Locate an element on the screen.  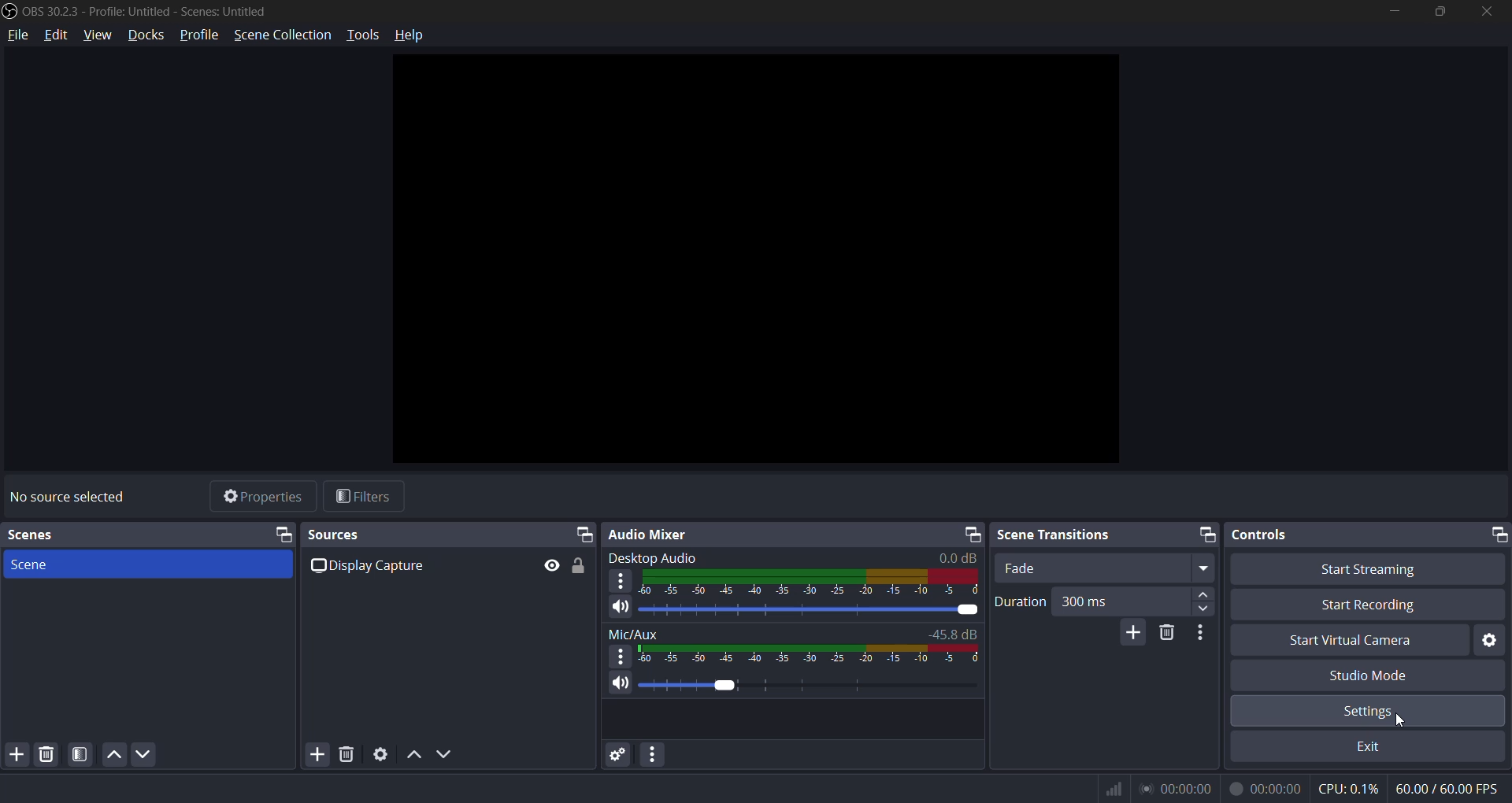
tools is located at coordinates (364, 36).